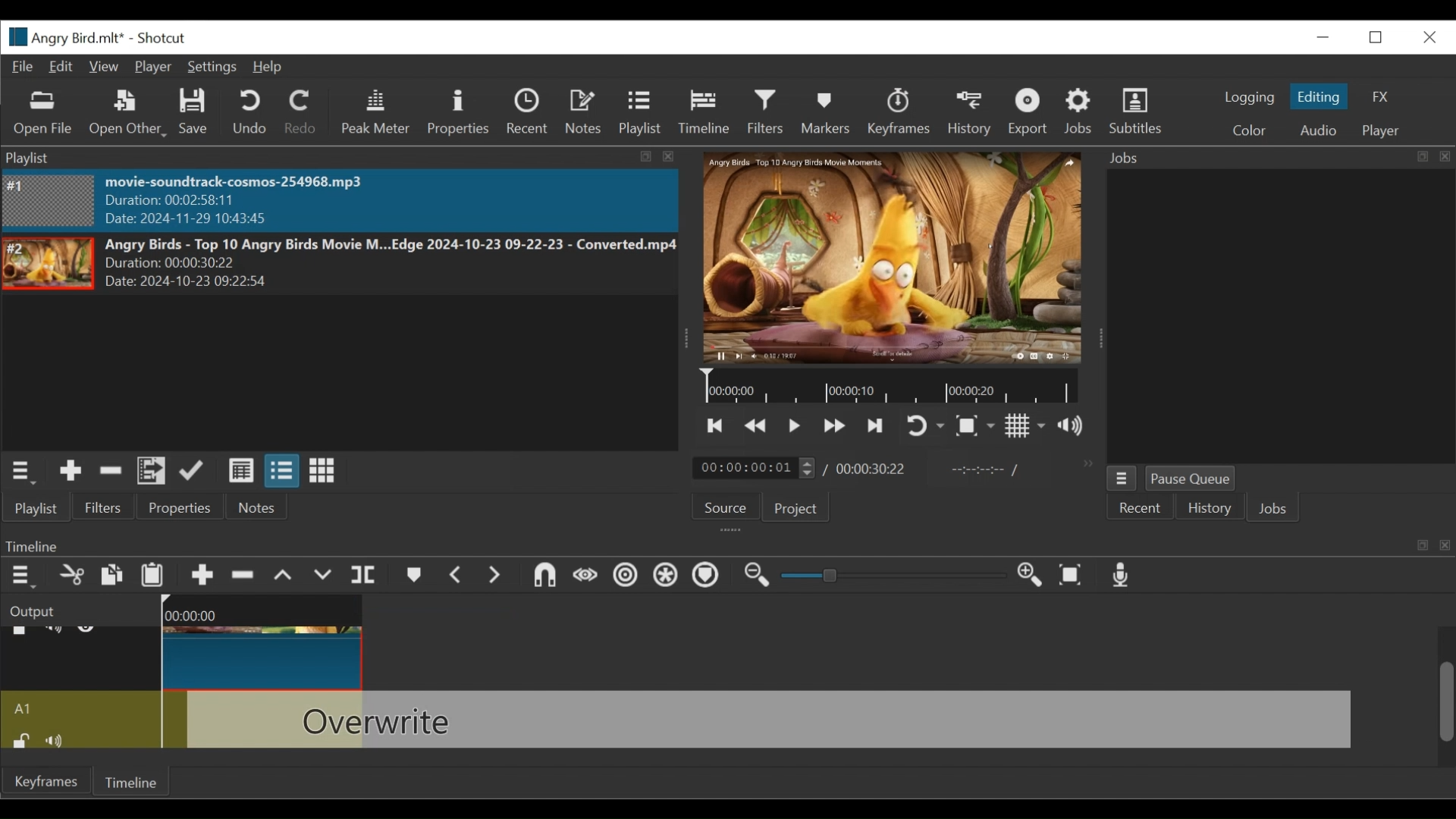 This screenshot has width=1456, height=819. Describe the element at coordinates (582, 111) in the screenshot. I see `Notes` at that location.